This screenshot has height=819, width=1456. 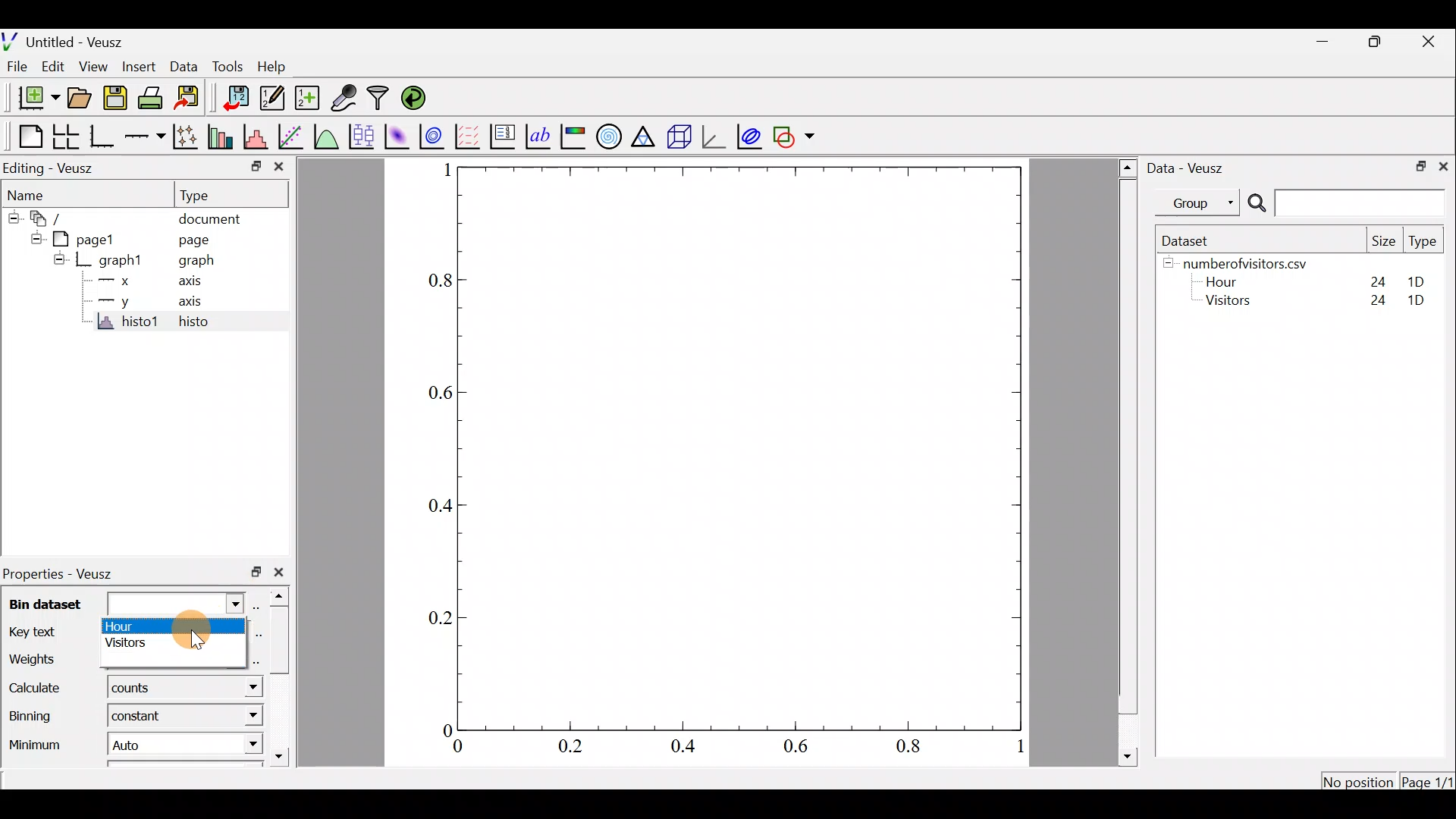 I want to click on 0.4, so click(x=689, y=747).